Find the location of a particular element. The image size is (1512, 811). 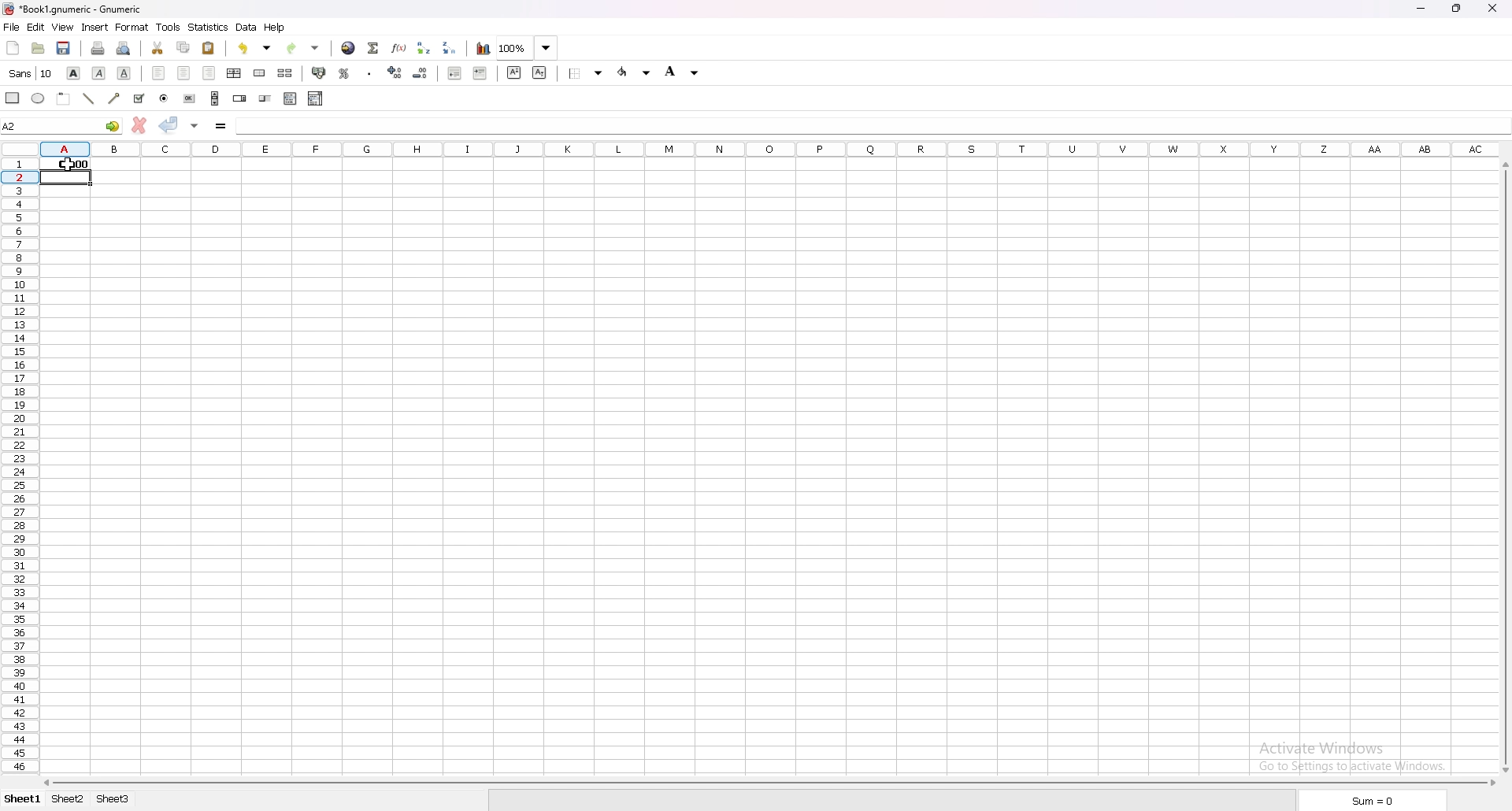

increase indent is located at coordinates (481, 73).